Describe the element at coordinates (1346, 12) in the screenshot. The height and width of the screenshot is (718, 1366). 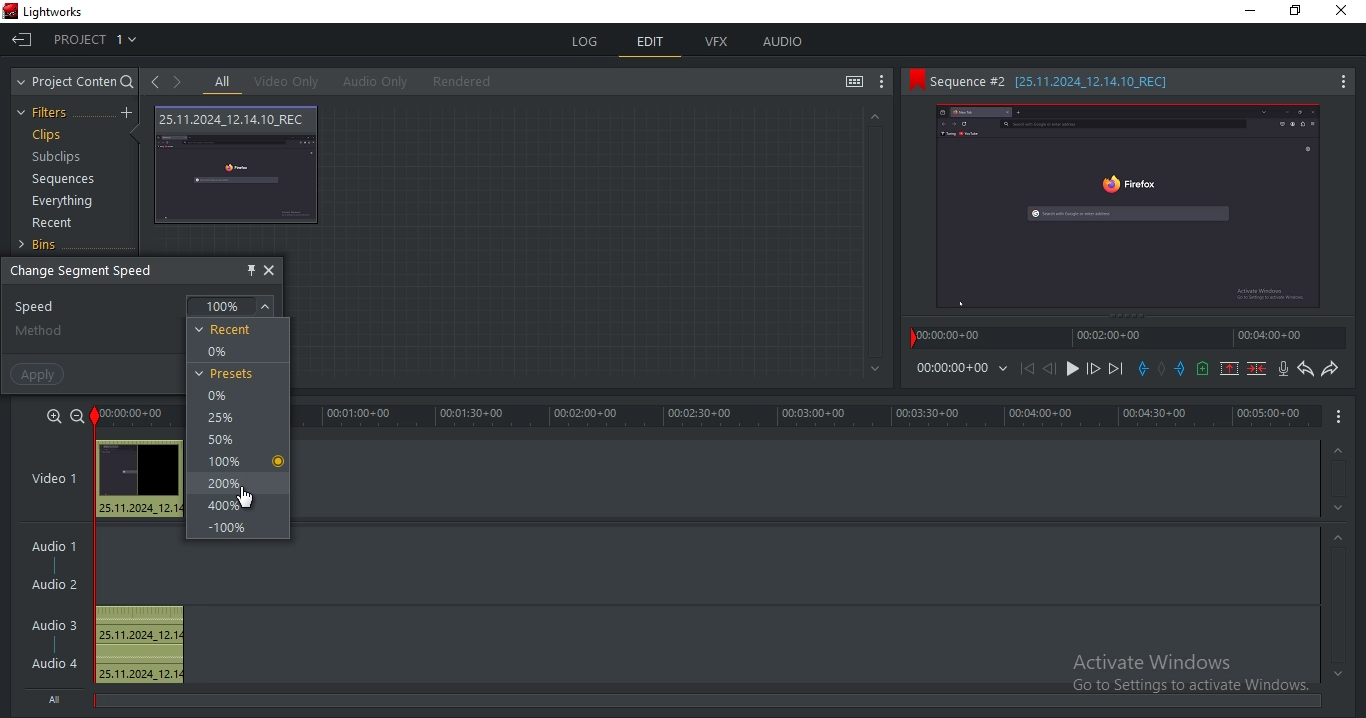
I see `close` at that location.